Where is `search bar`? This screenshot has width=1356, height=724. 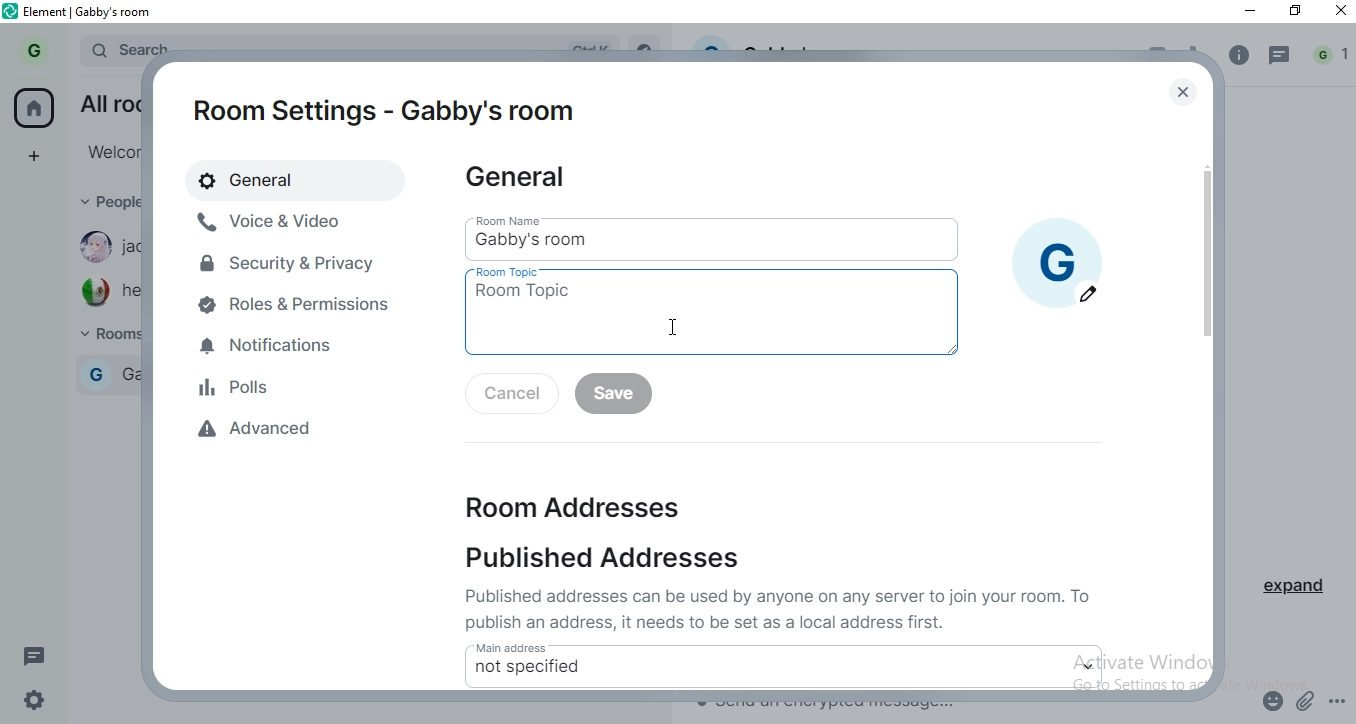 search bar is located at coordinates (125, 46).